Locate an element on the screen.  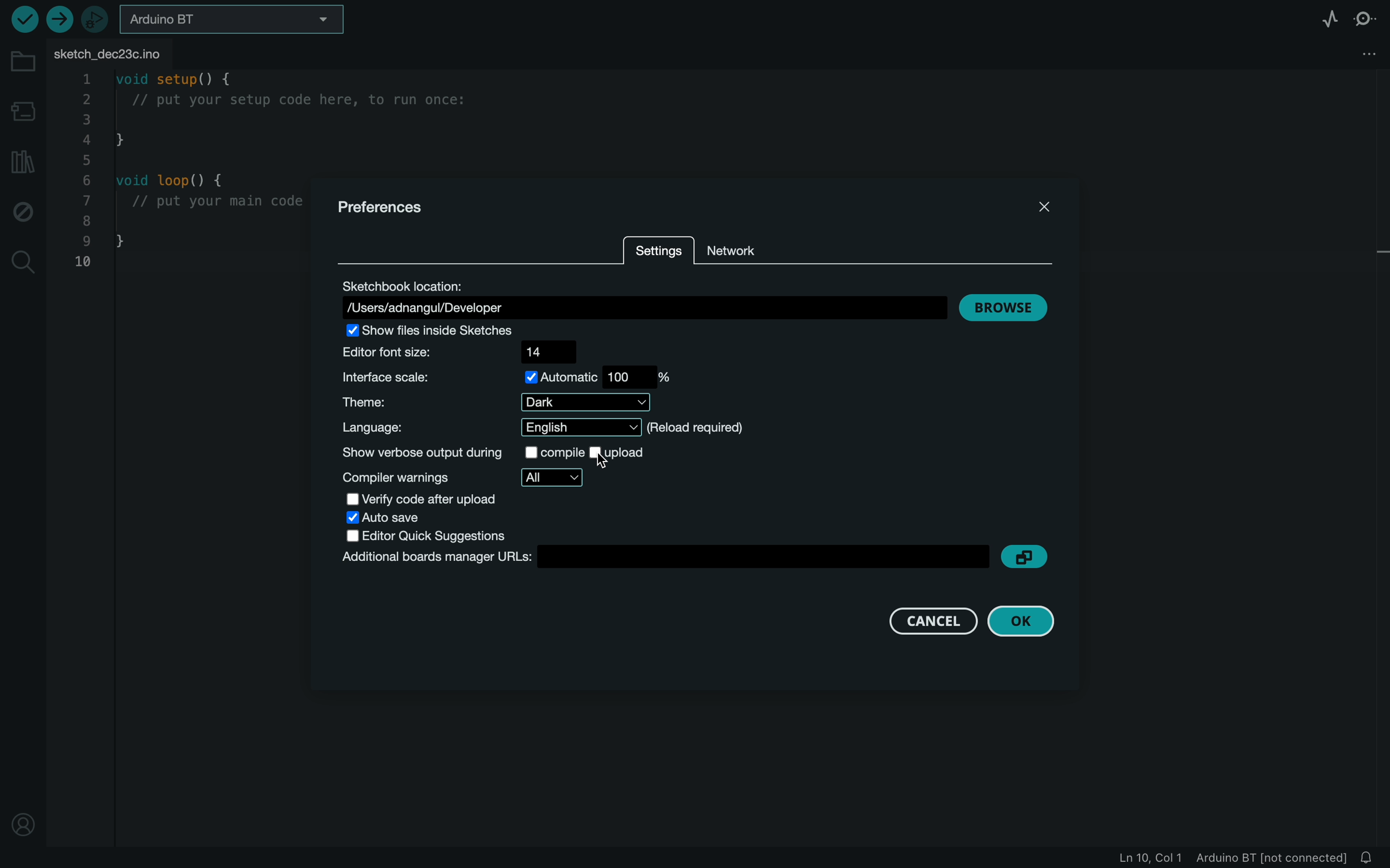
settings is located at coordinates (662, 251).